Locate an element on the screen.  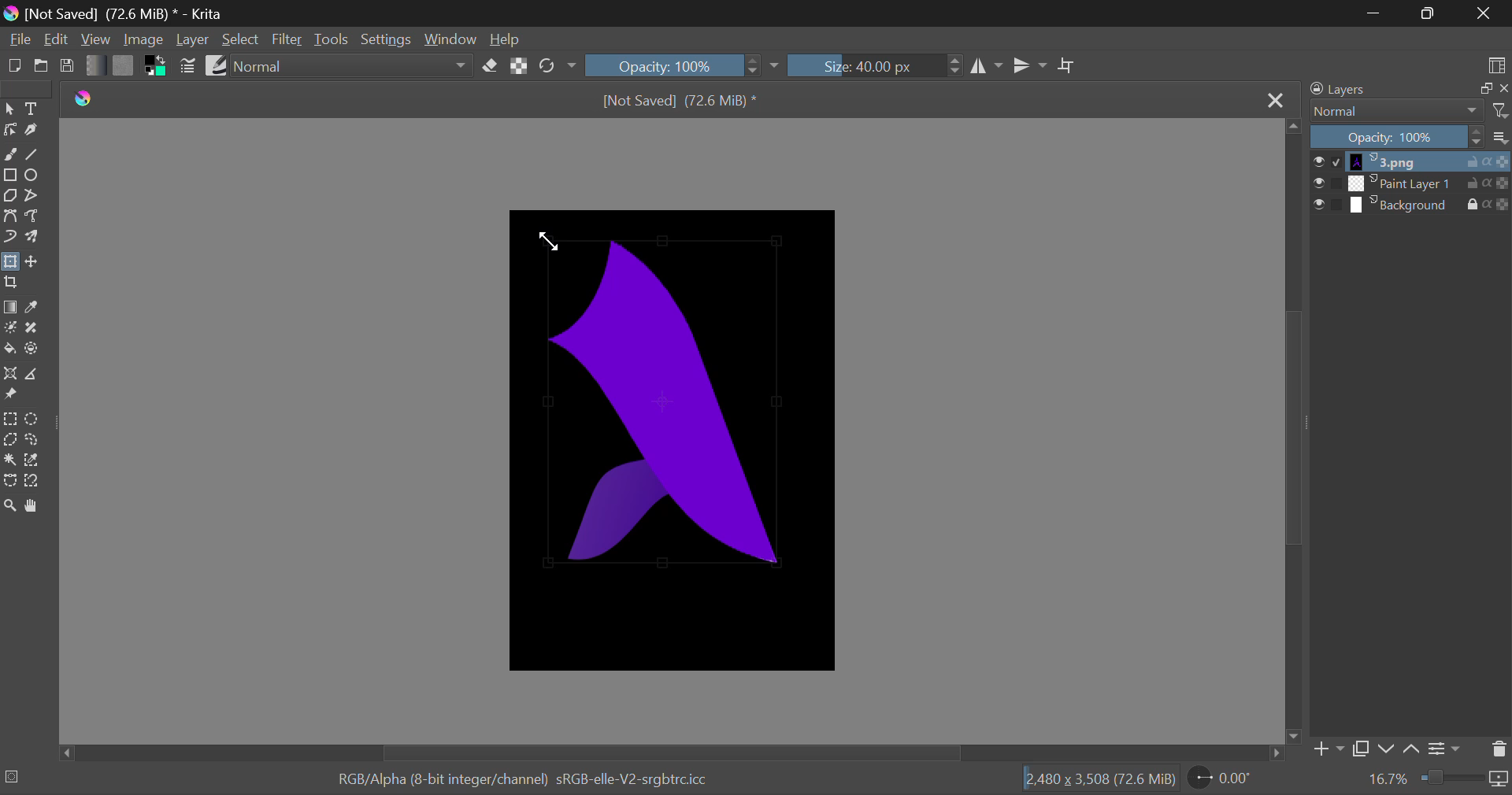
Settings is located at coordinates (384, 39).